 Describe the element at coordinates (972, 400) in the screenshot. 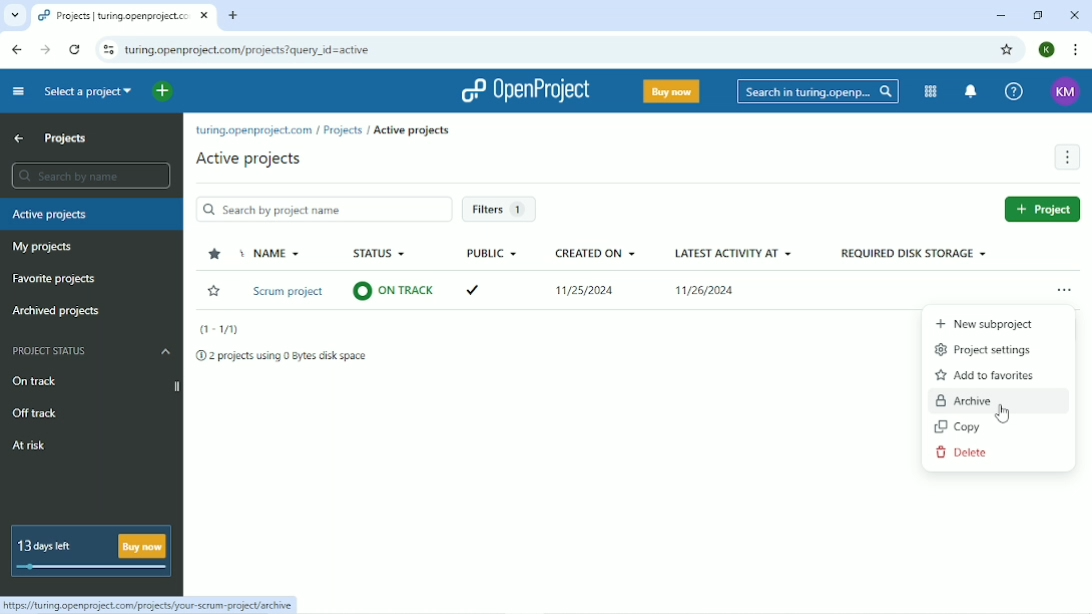

I see `Archive` at that location.